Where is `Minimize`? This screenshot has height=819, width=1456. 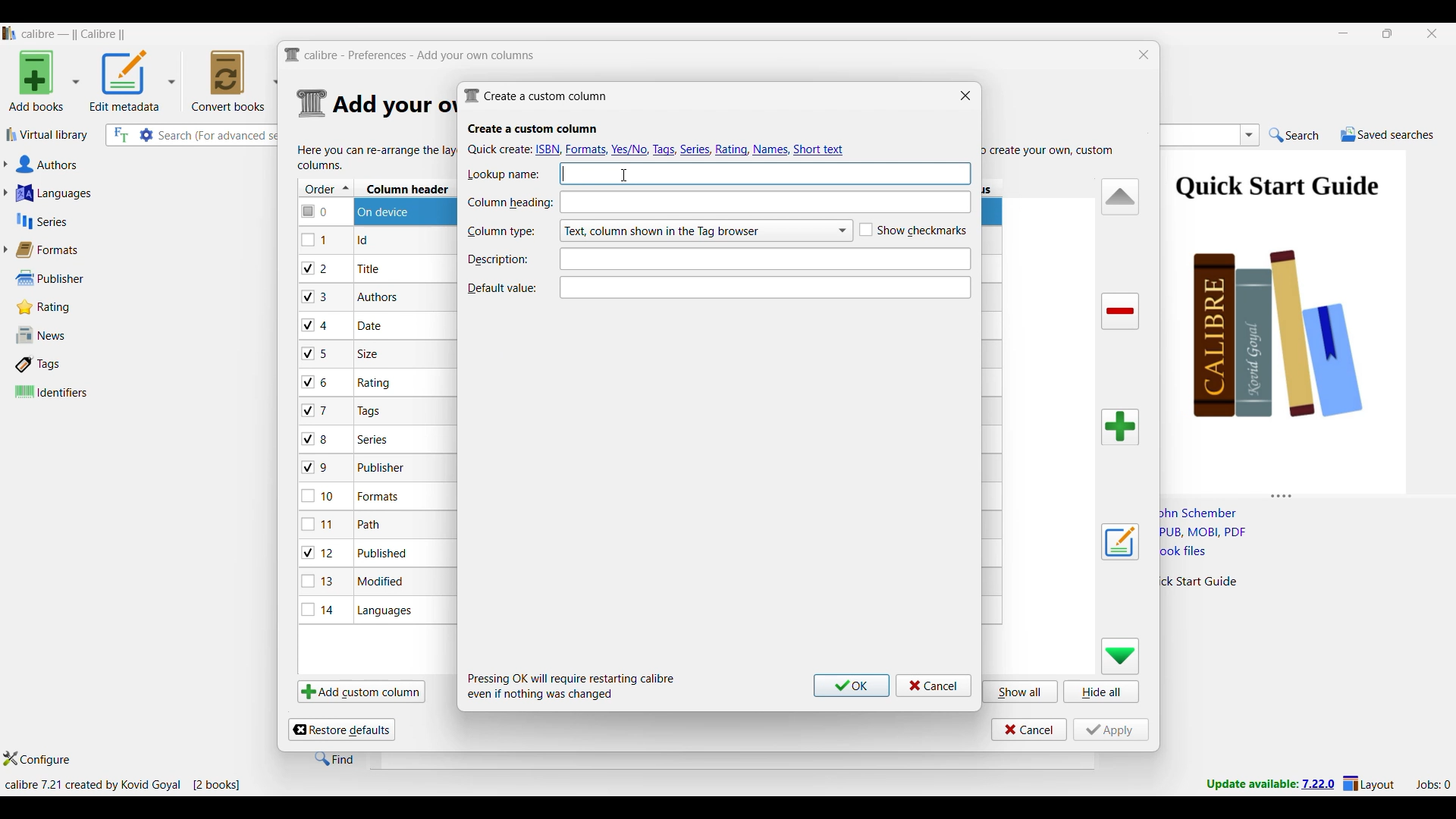 Minimize is located at coordinates (1344, 33).